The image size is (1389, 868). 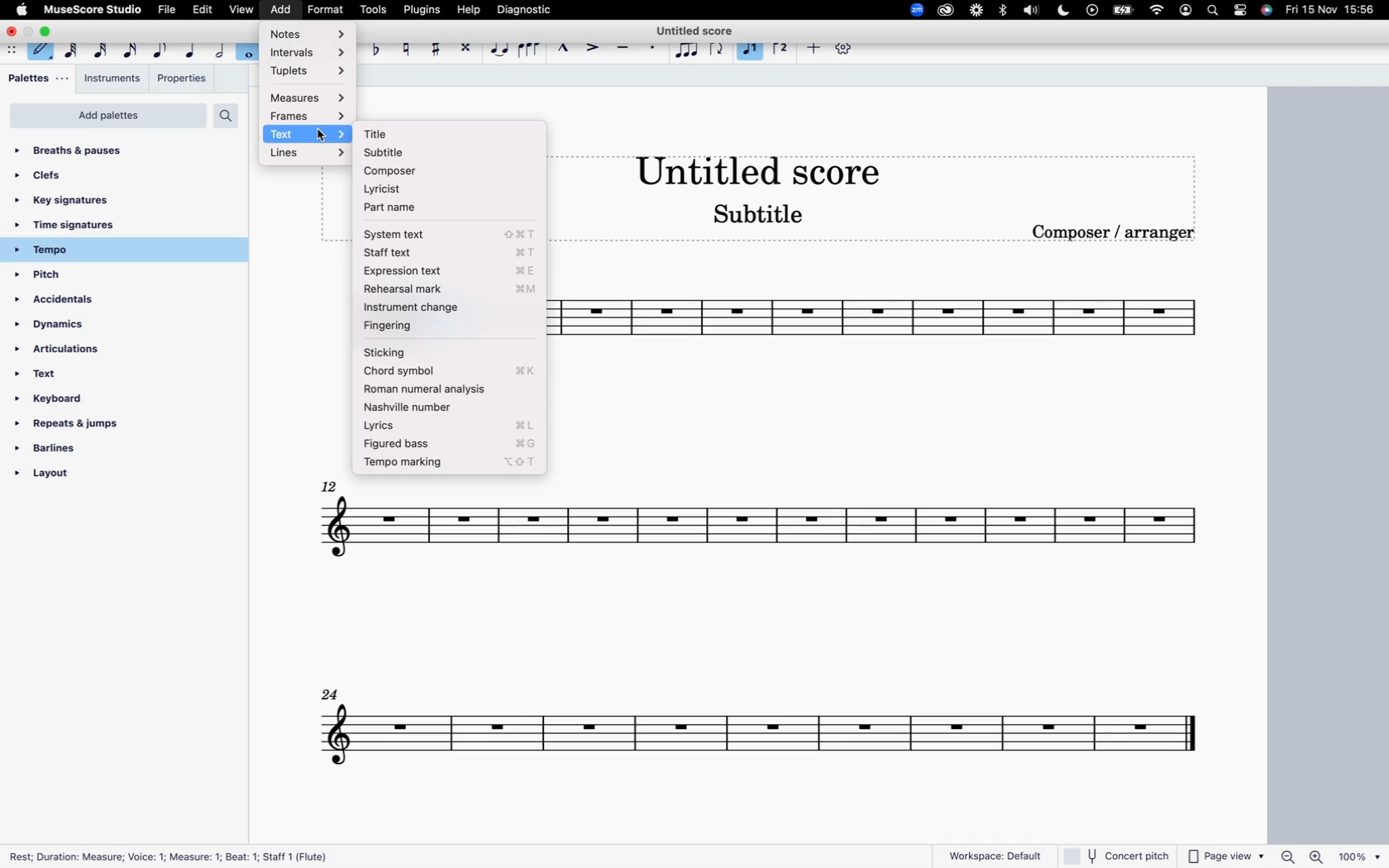 I want to click on voice 2, so click(x=750, y=46).